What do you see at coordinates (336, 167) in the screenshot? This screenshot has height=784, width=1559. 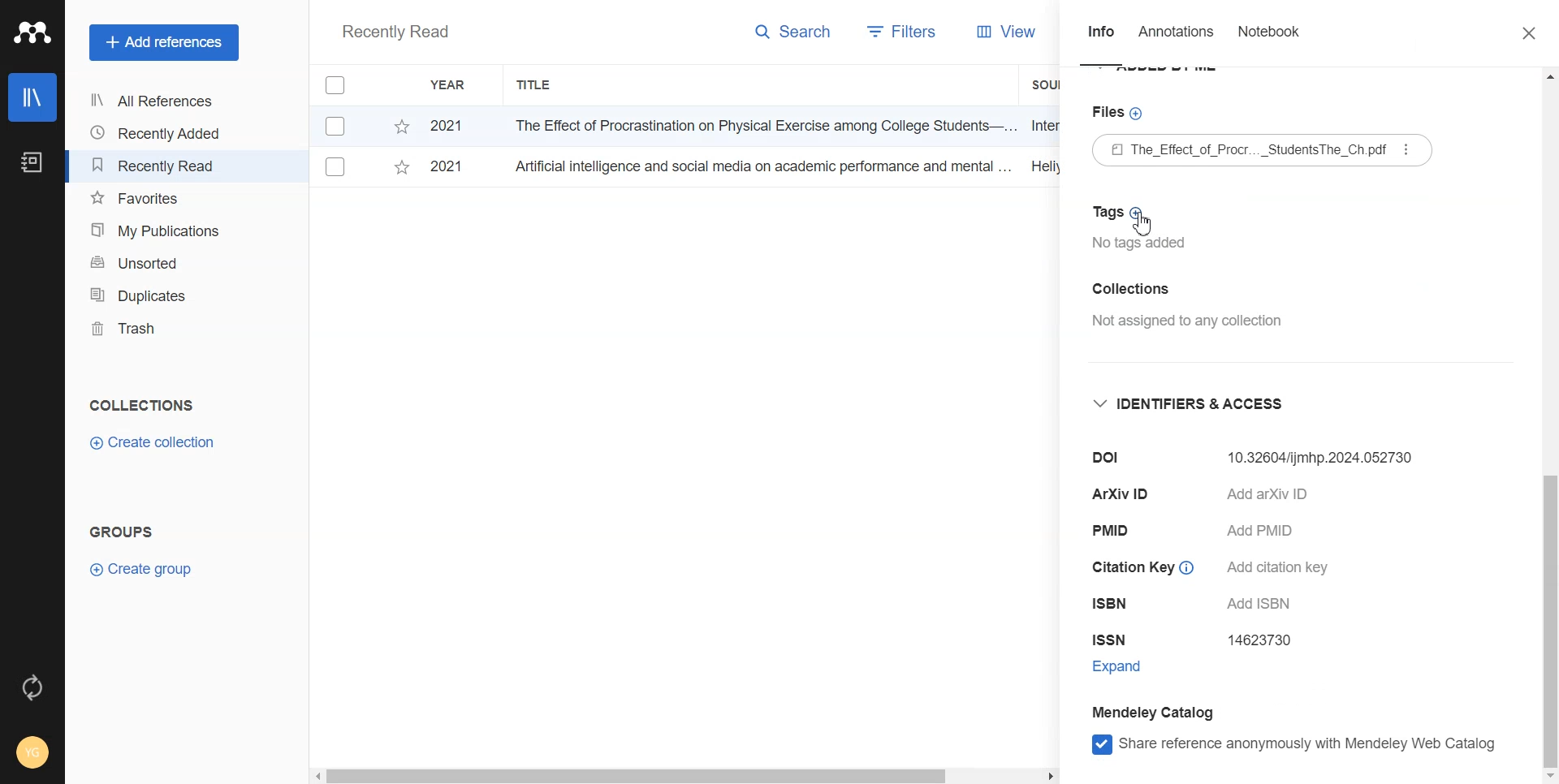 I see `Checkbox` at bounding box center [336, 167].